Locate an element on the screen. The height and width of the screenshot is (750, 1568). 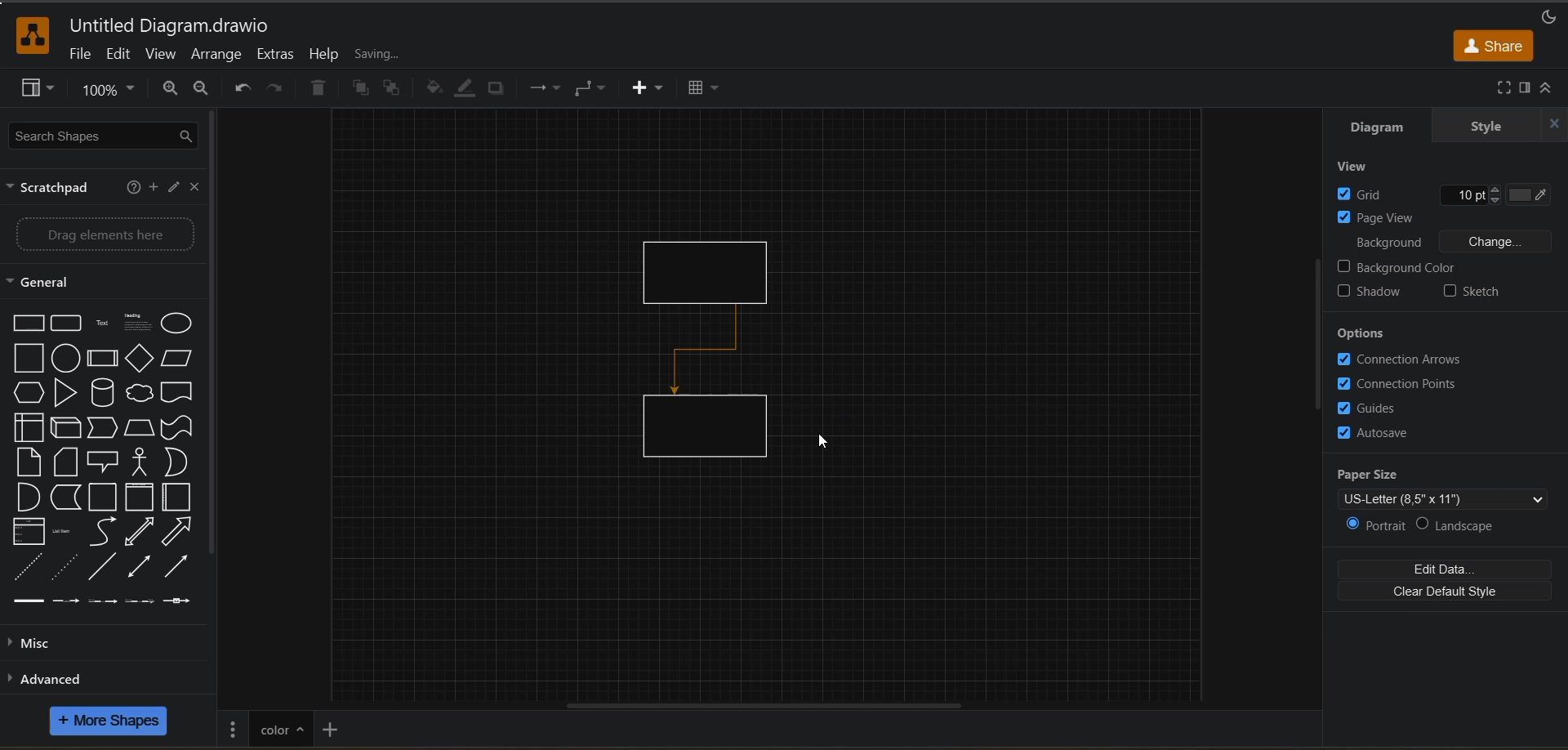
Arrow is located at coordinates (179, 531).